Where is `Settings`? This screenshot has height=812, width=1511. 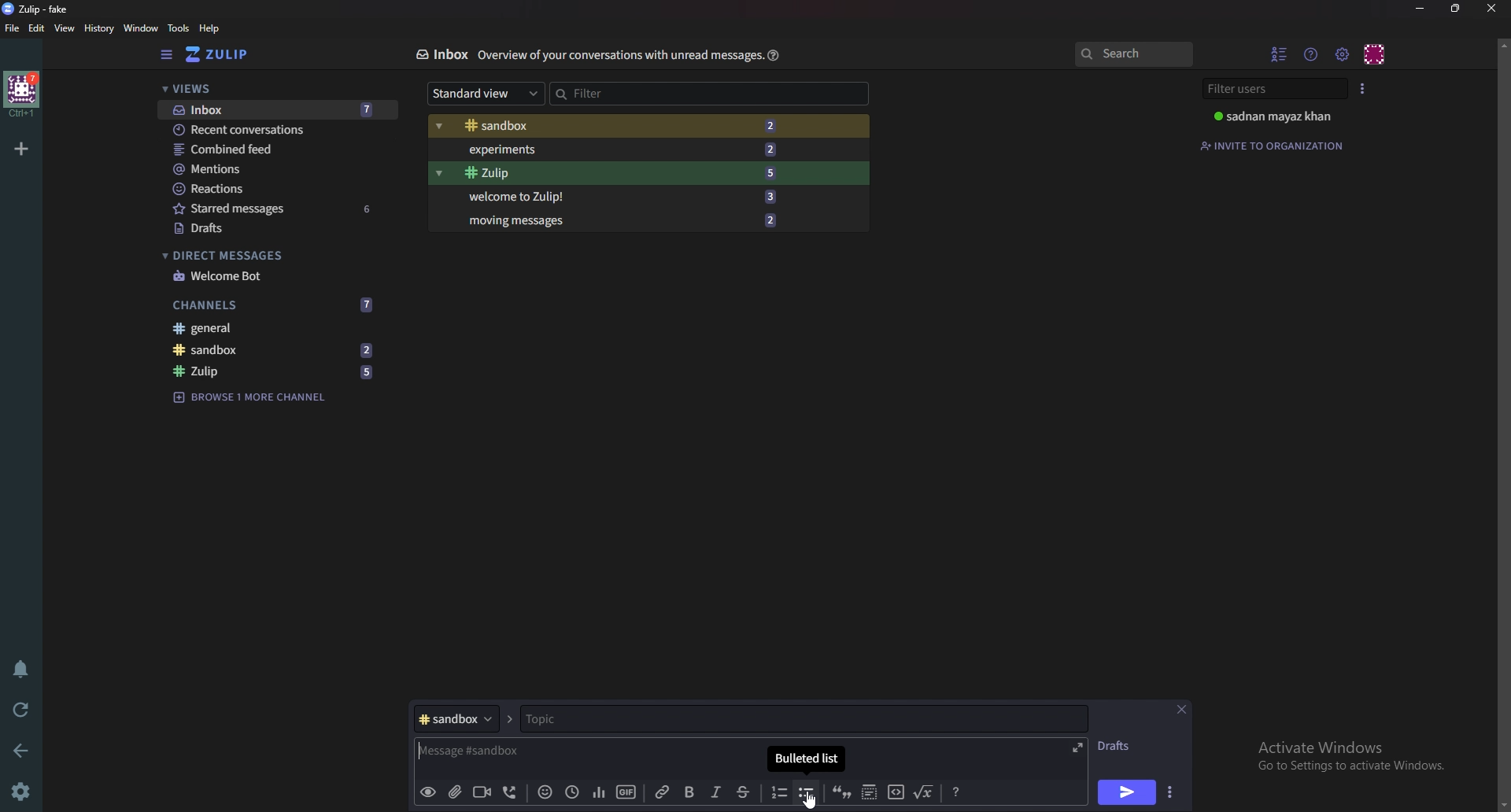
Settings is located at coordinates (20, 793).